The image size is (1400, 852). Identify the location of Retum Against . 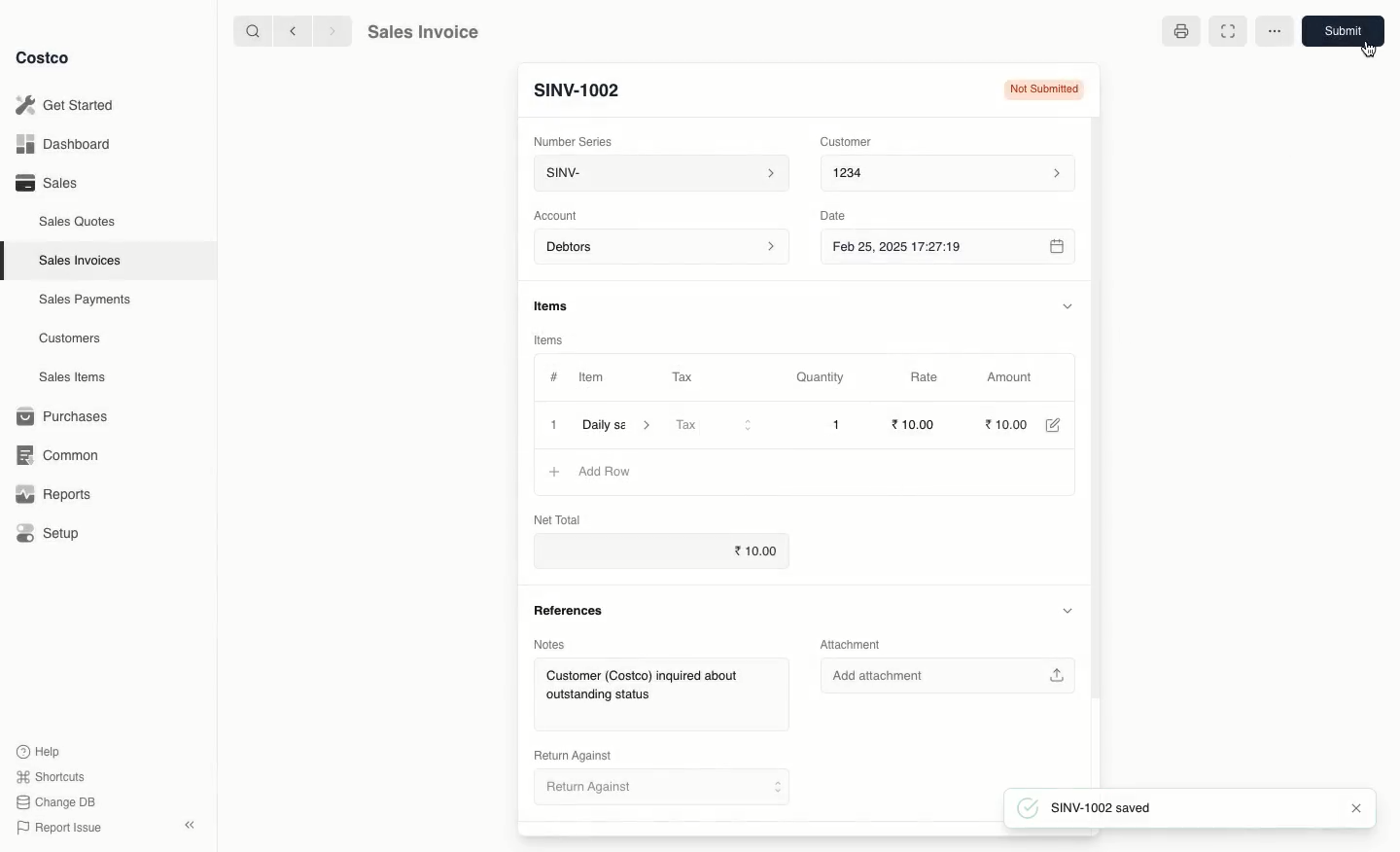
(663, 790).